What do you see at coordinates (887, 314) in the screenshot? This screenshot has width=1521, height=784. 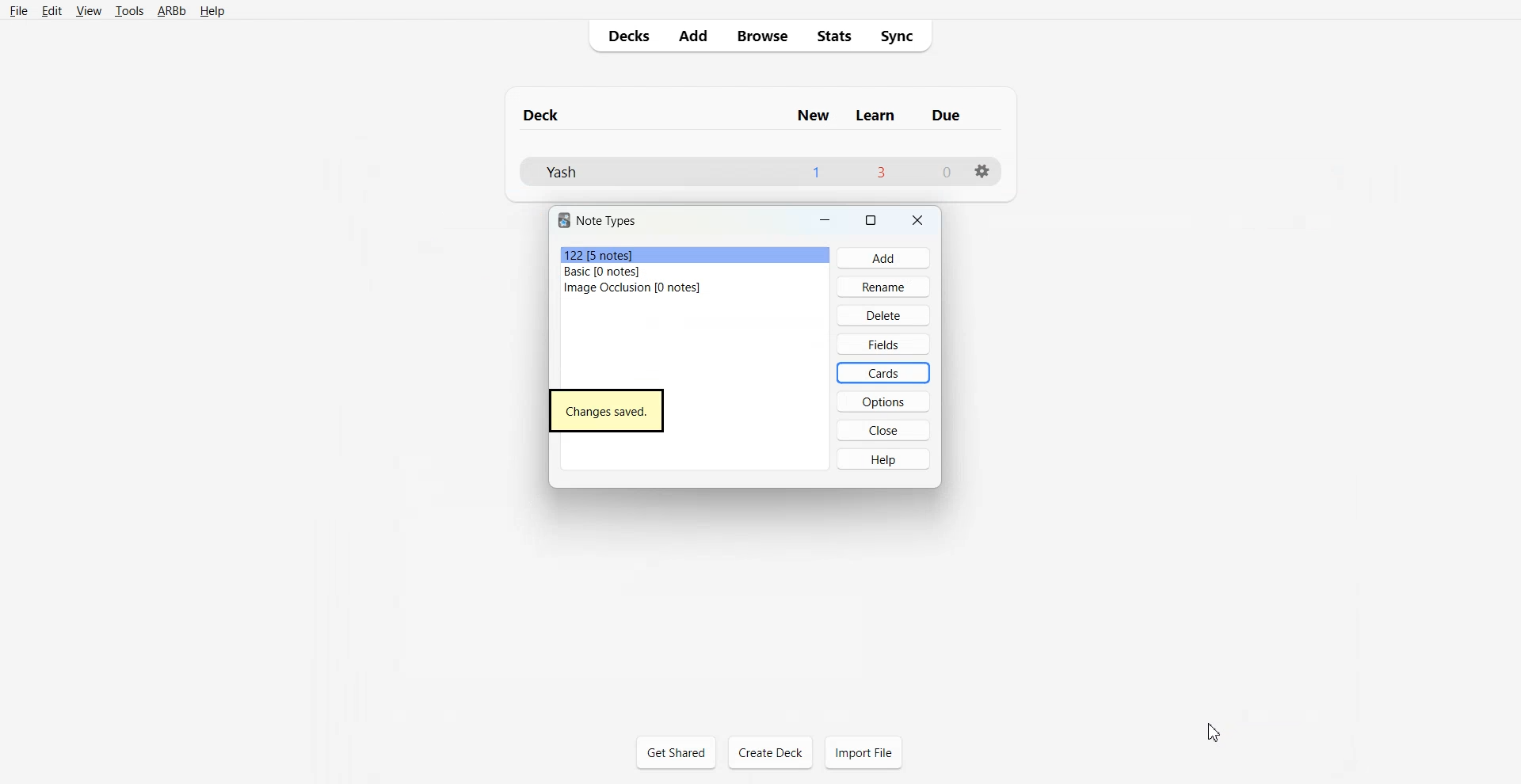 I see `delete` at bounding box center [887, 314].